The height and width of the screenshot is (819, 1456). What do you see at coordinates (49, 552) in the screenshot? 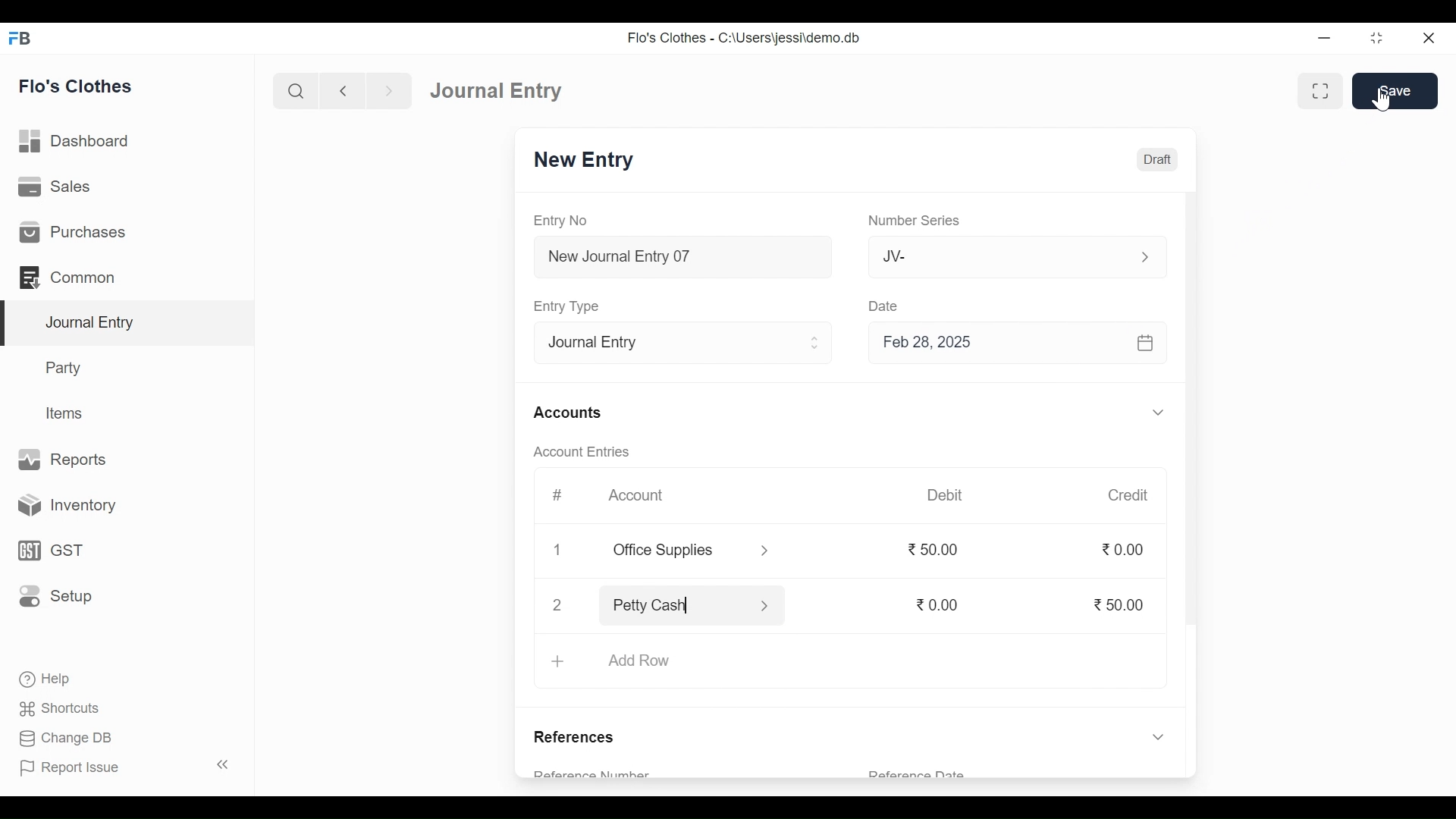
I see `GST` at bounding box center [49, 552].